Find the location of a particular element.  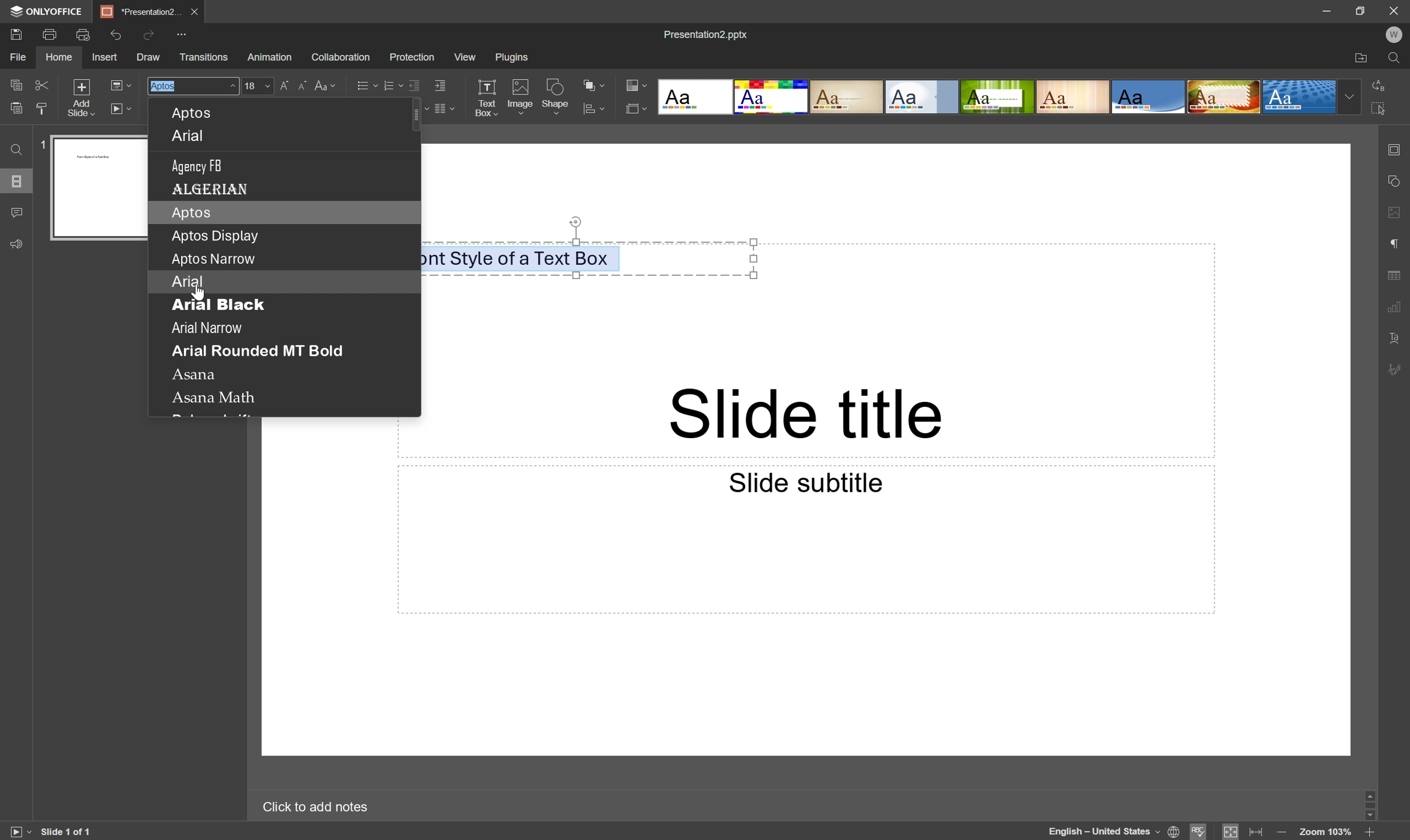

Bullets is located at coordinates (365, 83).